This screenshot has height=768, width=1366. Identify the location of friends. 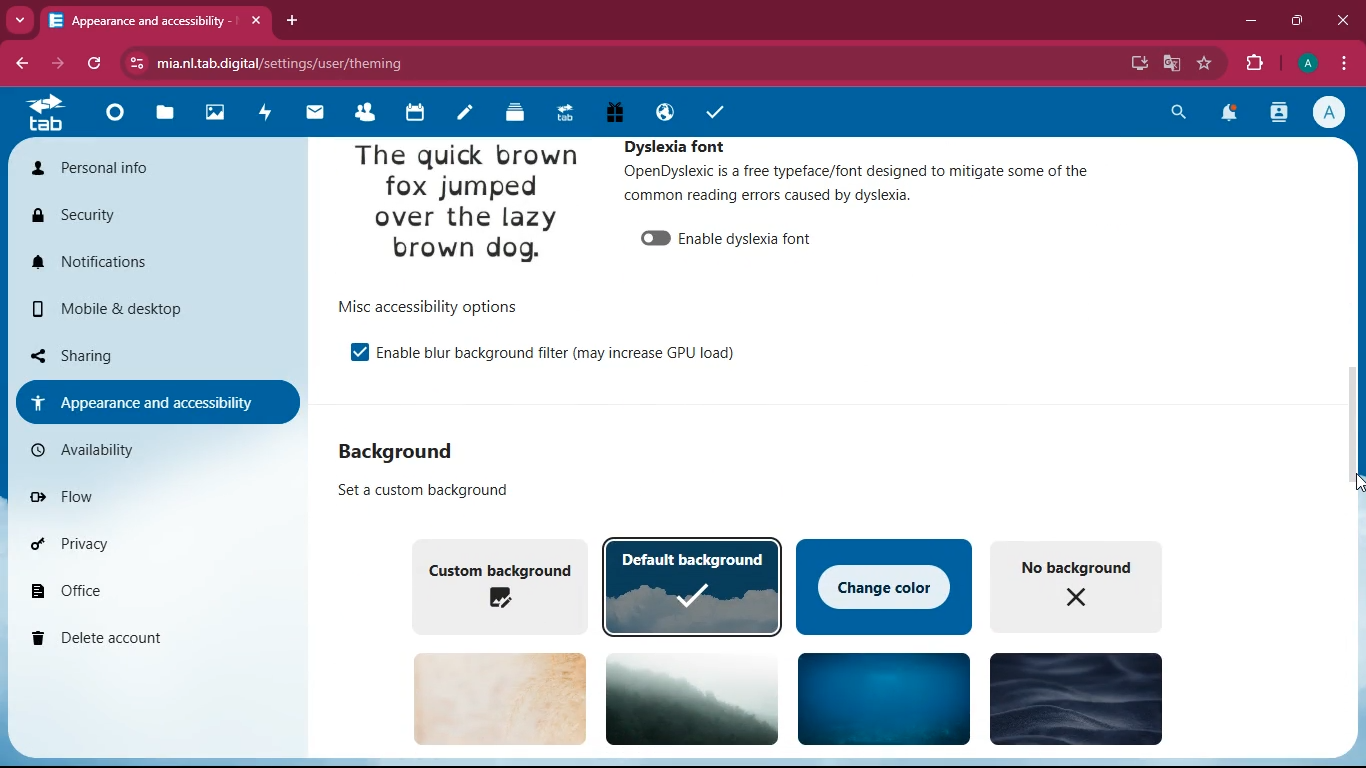
(361, 112).